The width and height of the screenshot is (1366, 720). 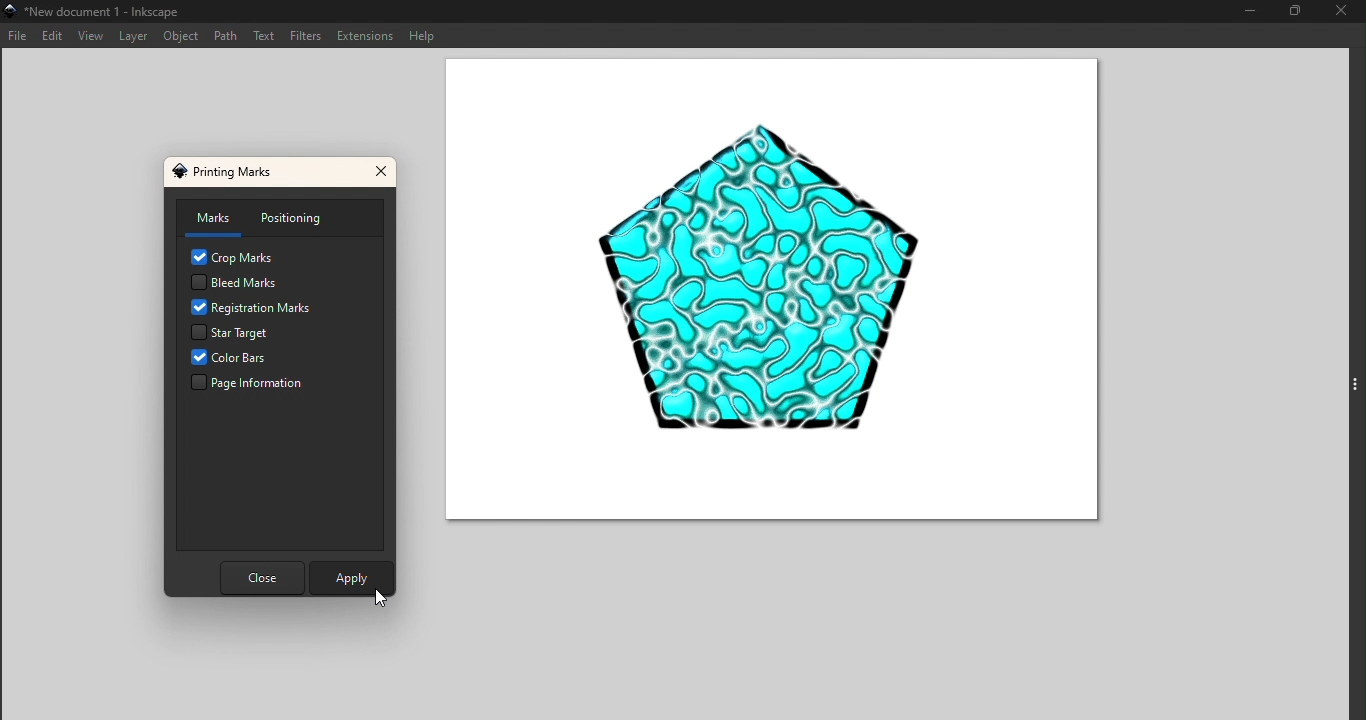 What do you see at coordinates (226, 37) in the screenshot?
I see `Path` at bounding box center [226, 37].